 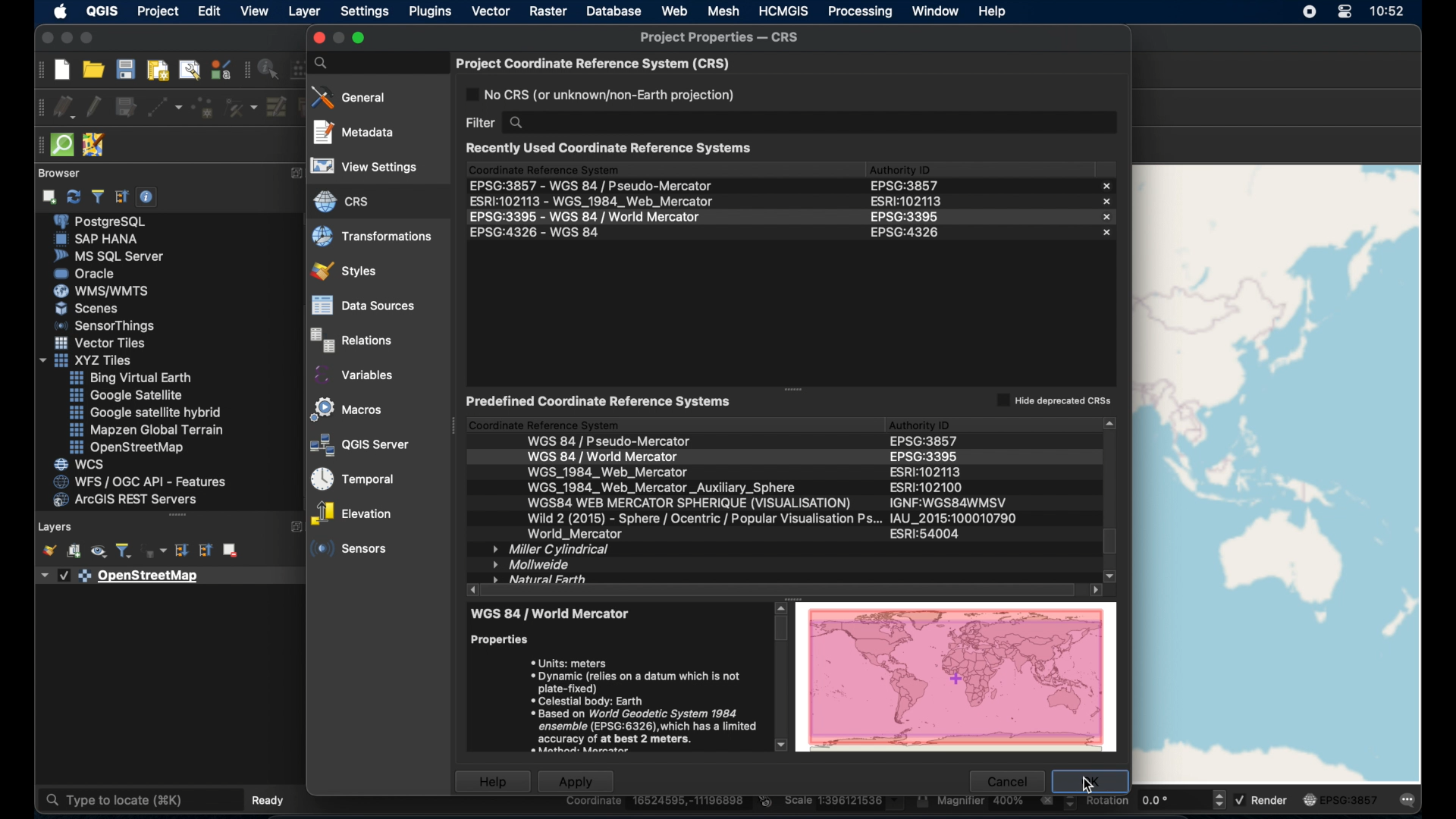 I want to click on wsg 1984, so click(x=664, y=488).